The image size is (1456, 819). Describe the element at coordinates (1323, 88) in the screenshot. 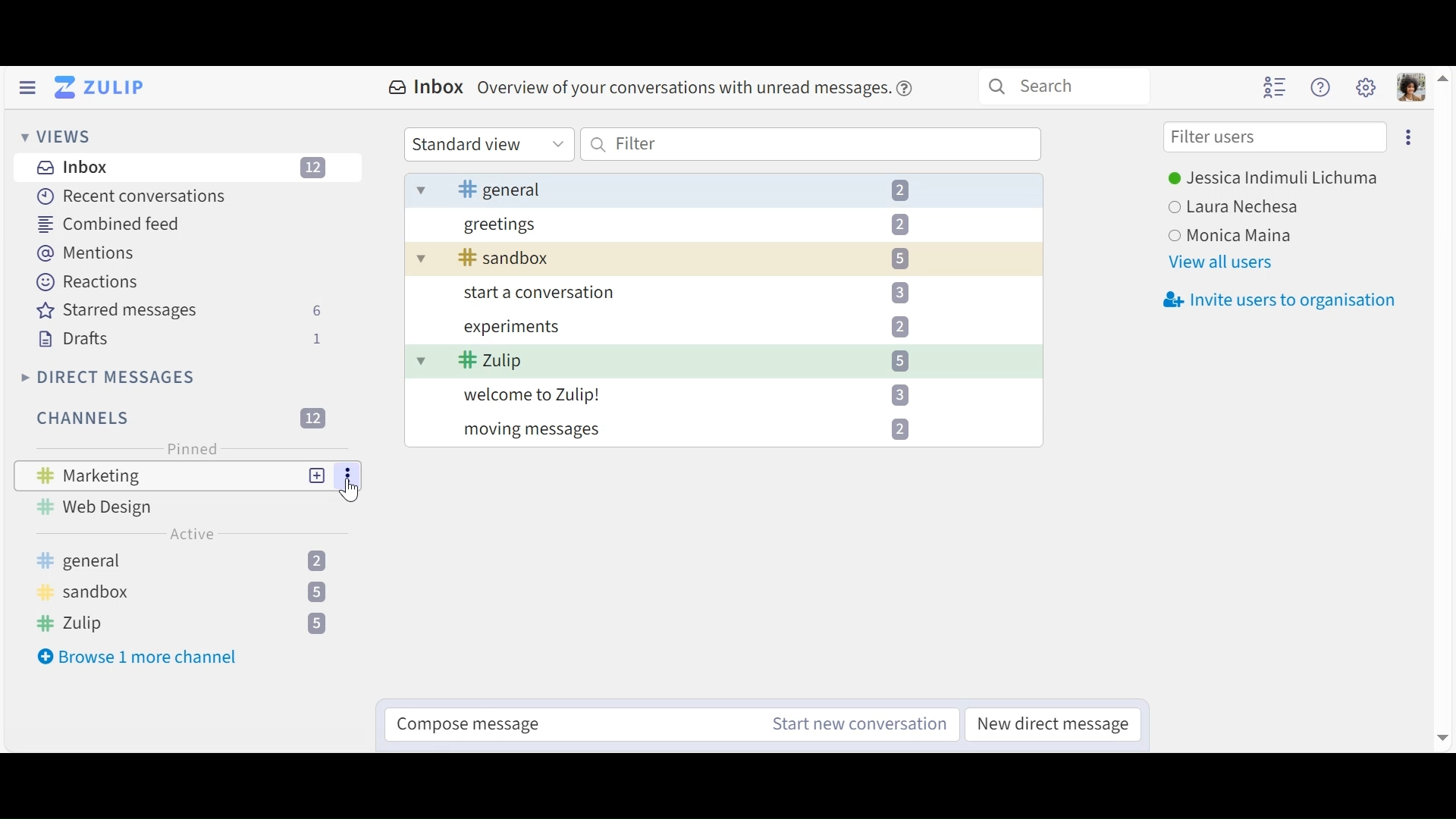

I see `Help menu` at that location.